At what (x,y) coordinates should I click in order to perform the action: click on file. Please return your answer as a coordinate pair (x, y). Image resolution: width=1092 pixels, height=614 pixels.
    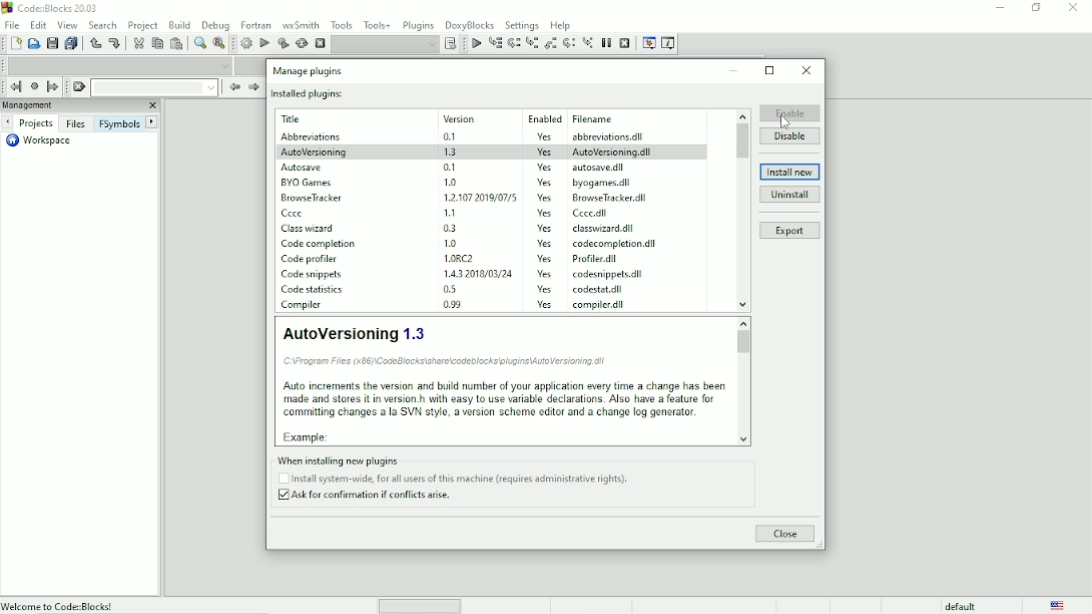
    Looking at the image, I should click on (609, 198).